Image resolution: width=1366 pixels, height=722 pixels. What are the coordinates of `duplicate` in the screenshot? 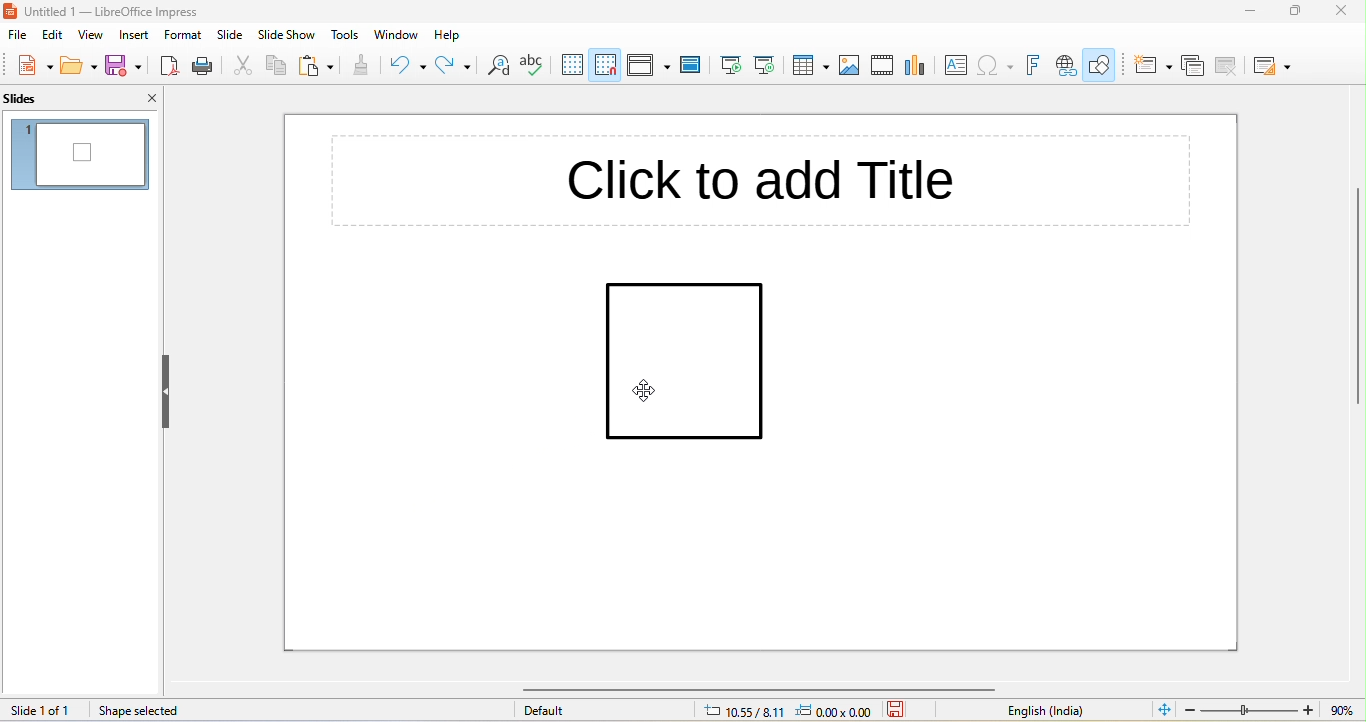 It's located at (1194, 64).